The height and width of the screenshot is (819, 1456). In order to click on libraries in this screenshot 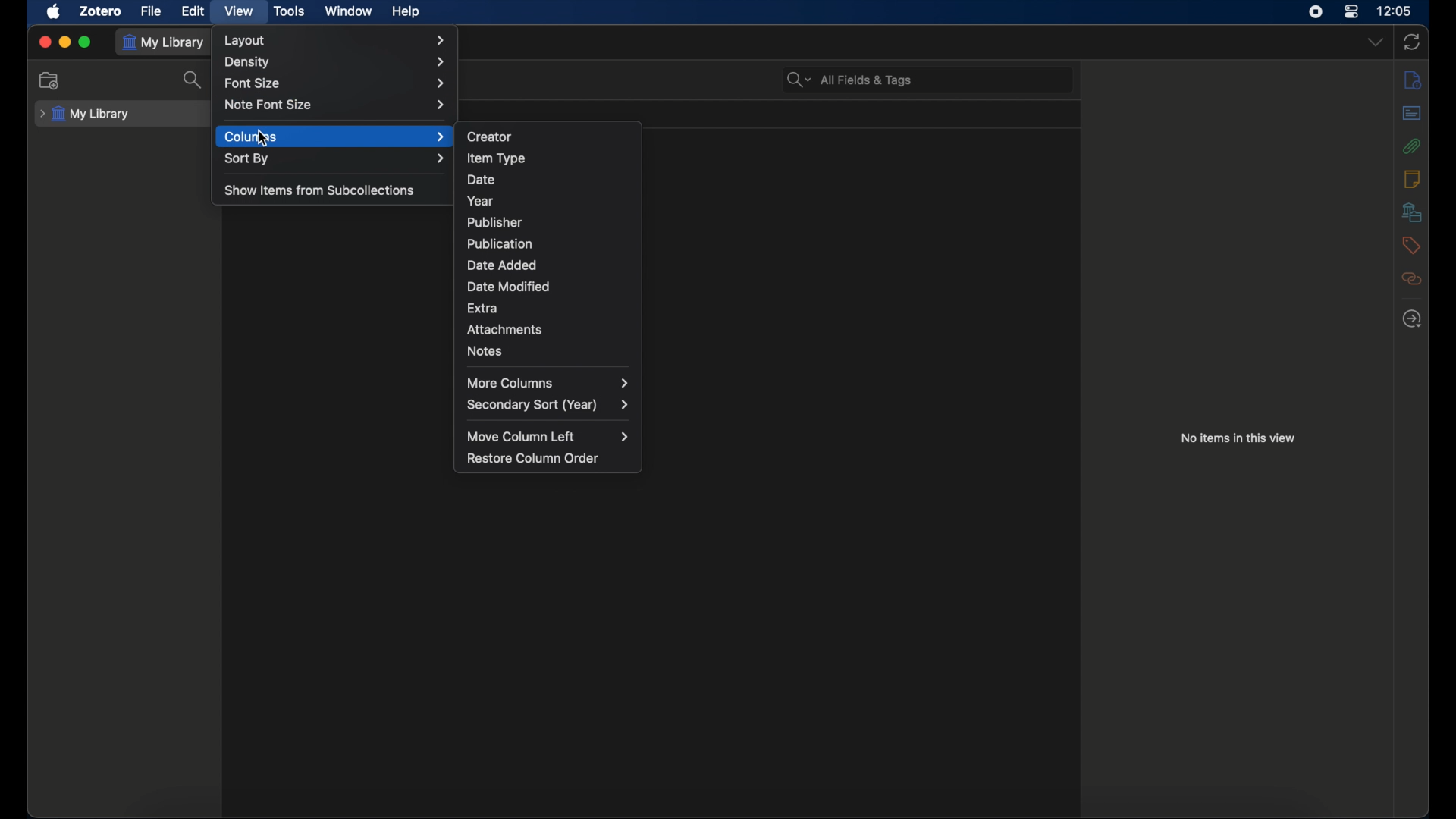, I will do `click(1414, 212)`.